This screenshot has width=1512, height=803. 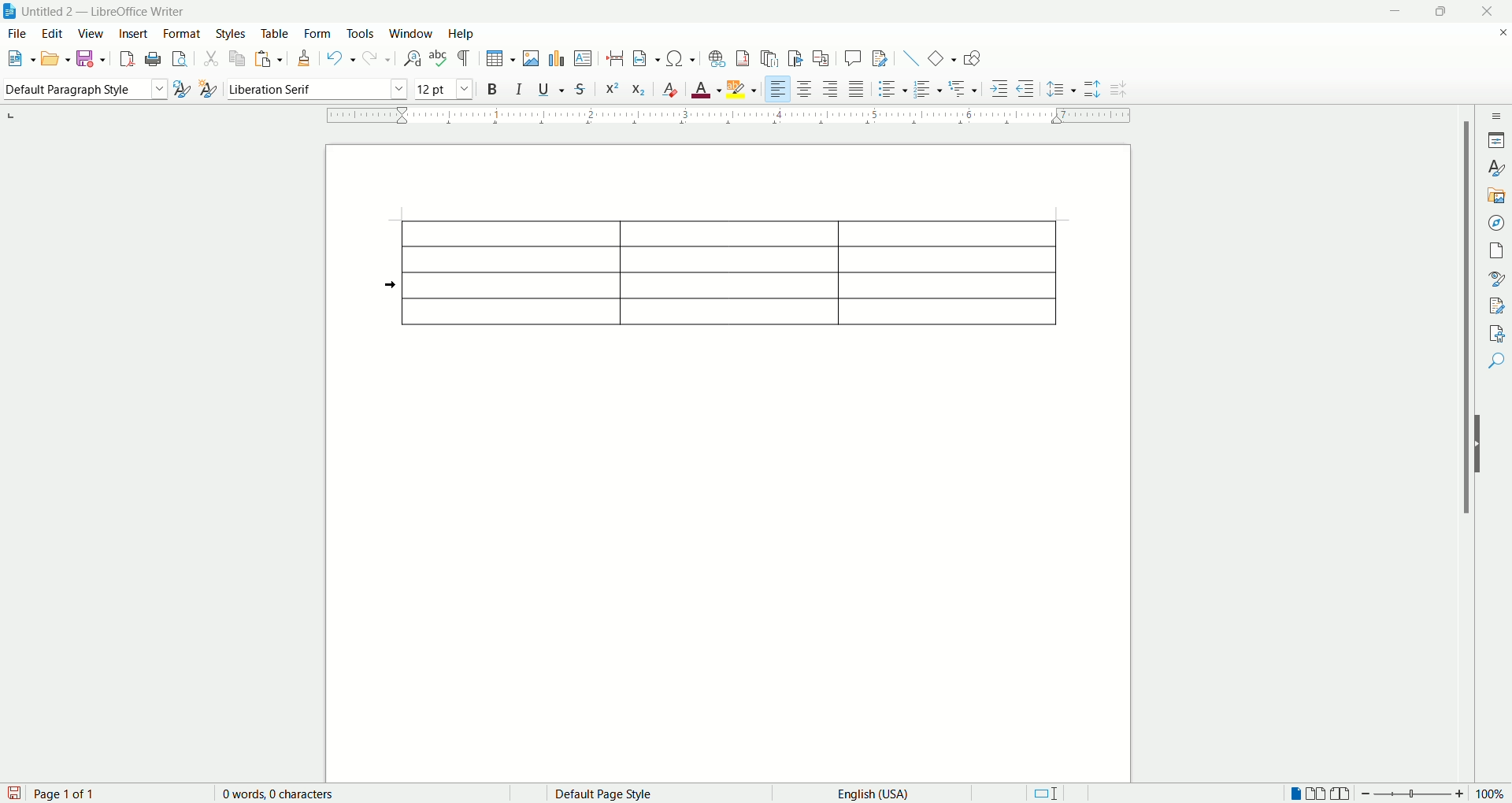 What do you see at coordinates (721, 457) in the screenshot?
I see `page` at bounding box center [721, 457].